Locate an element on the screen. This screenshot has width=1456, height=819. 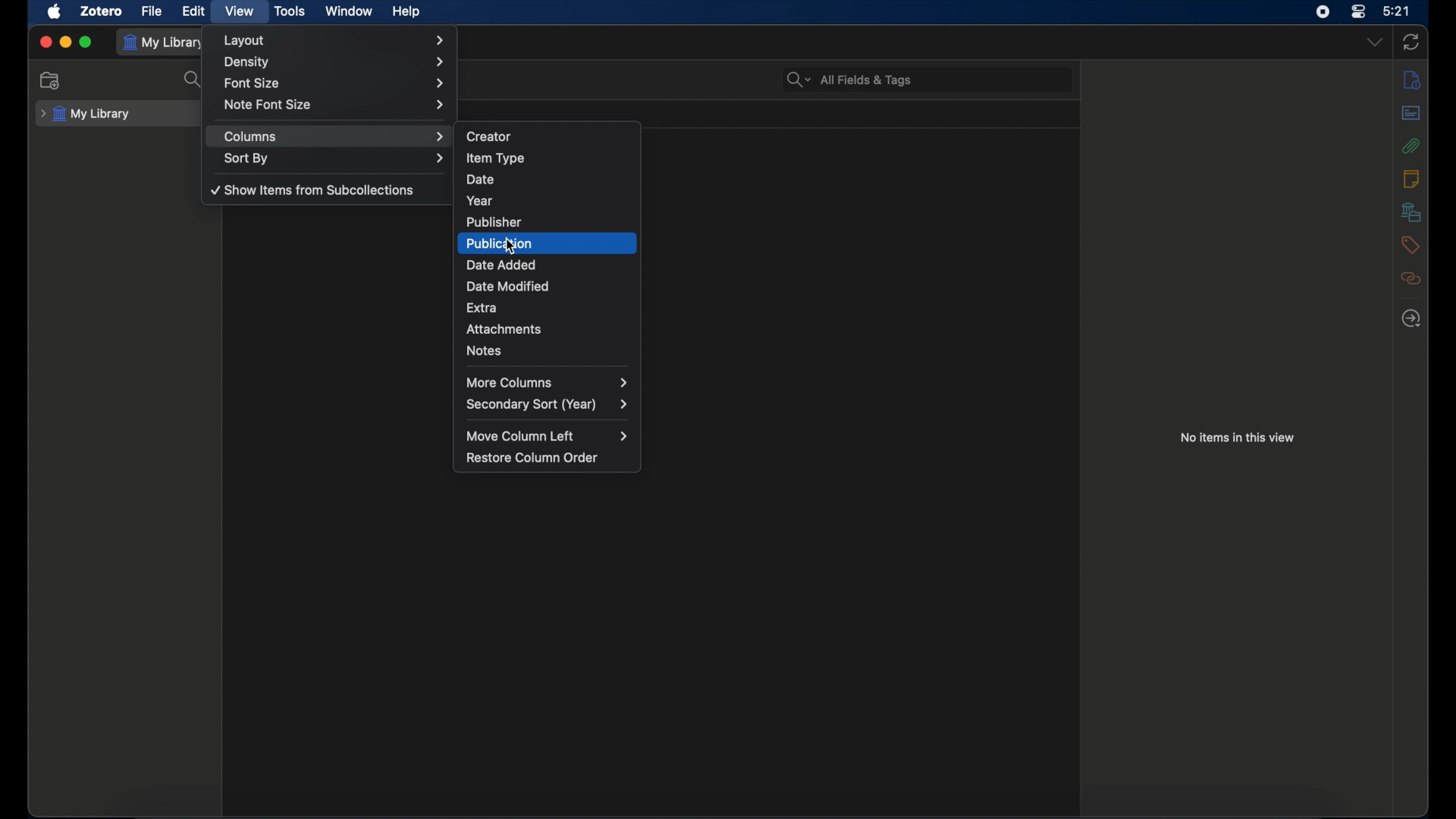
date is located at coordinates (552, 176).